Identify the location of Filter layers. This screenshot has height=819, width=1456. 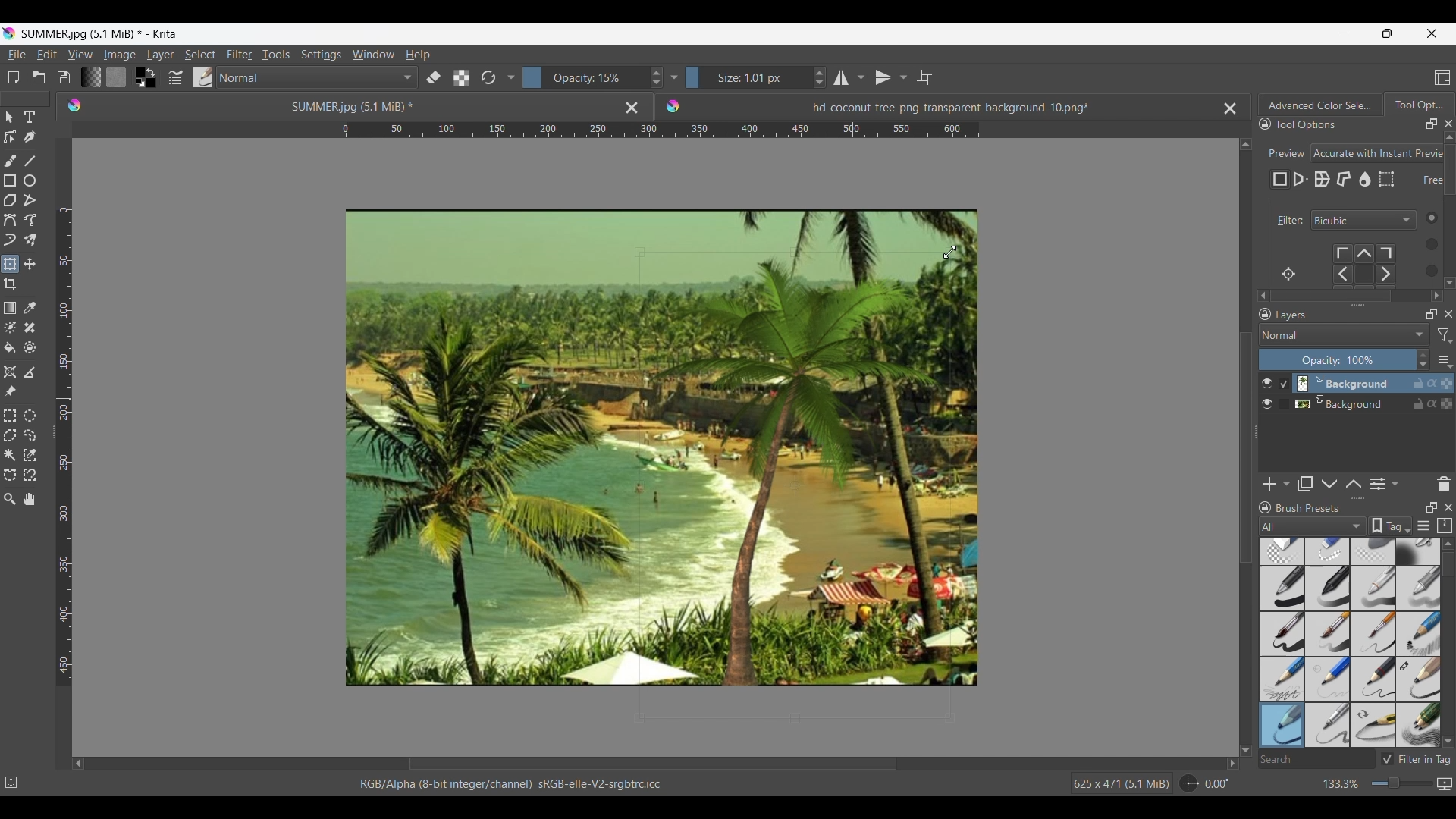
(1445, 335).